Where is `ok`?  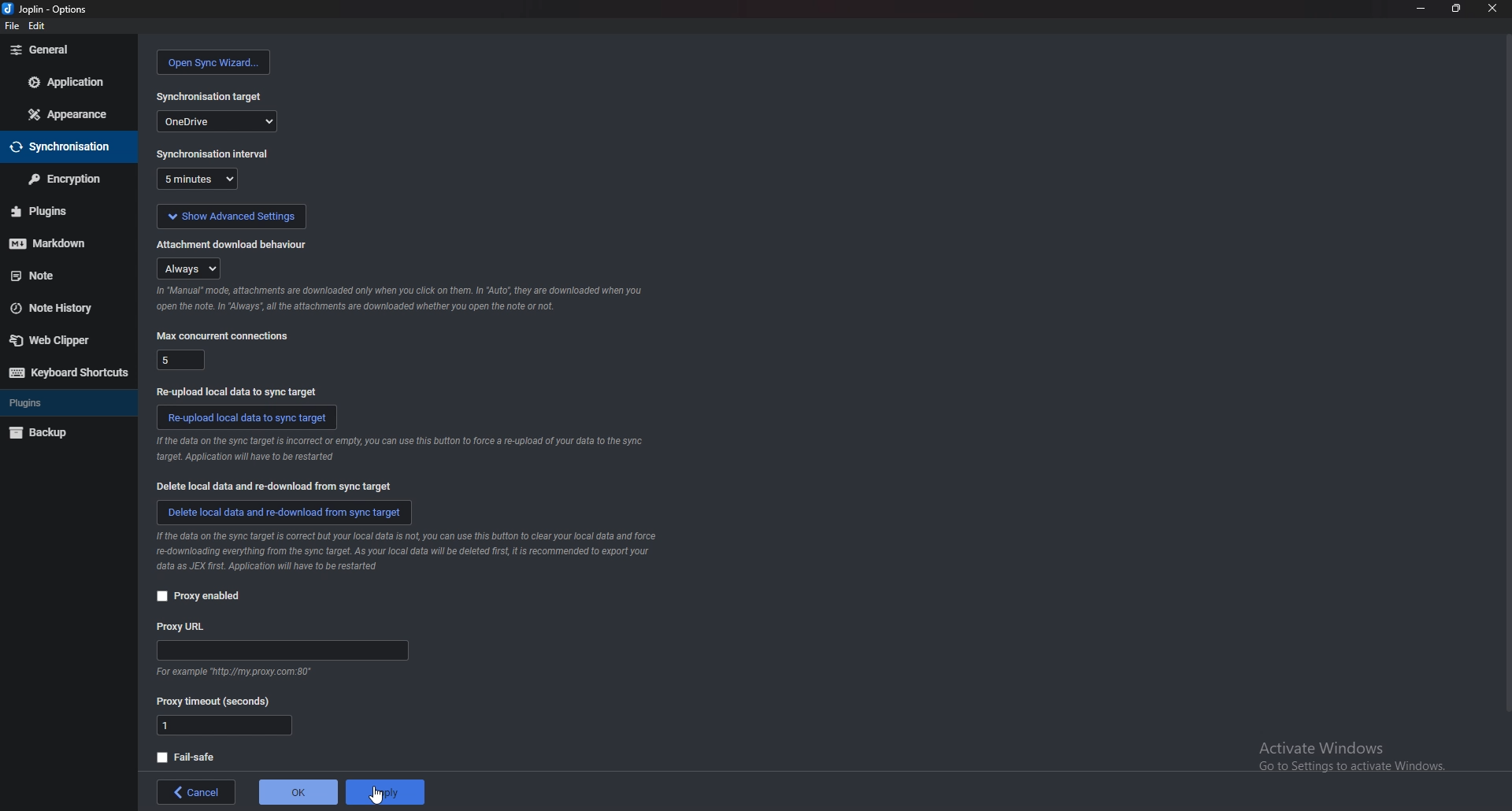 ok is located at coordinates (298, 789).